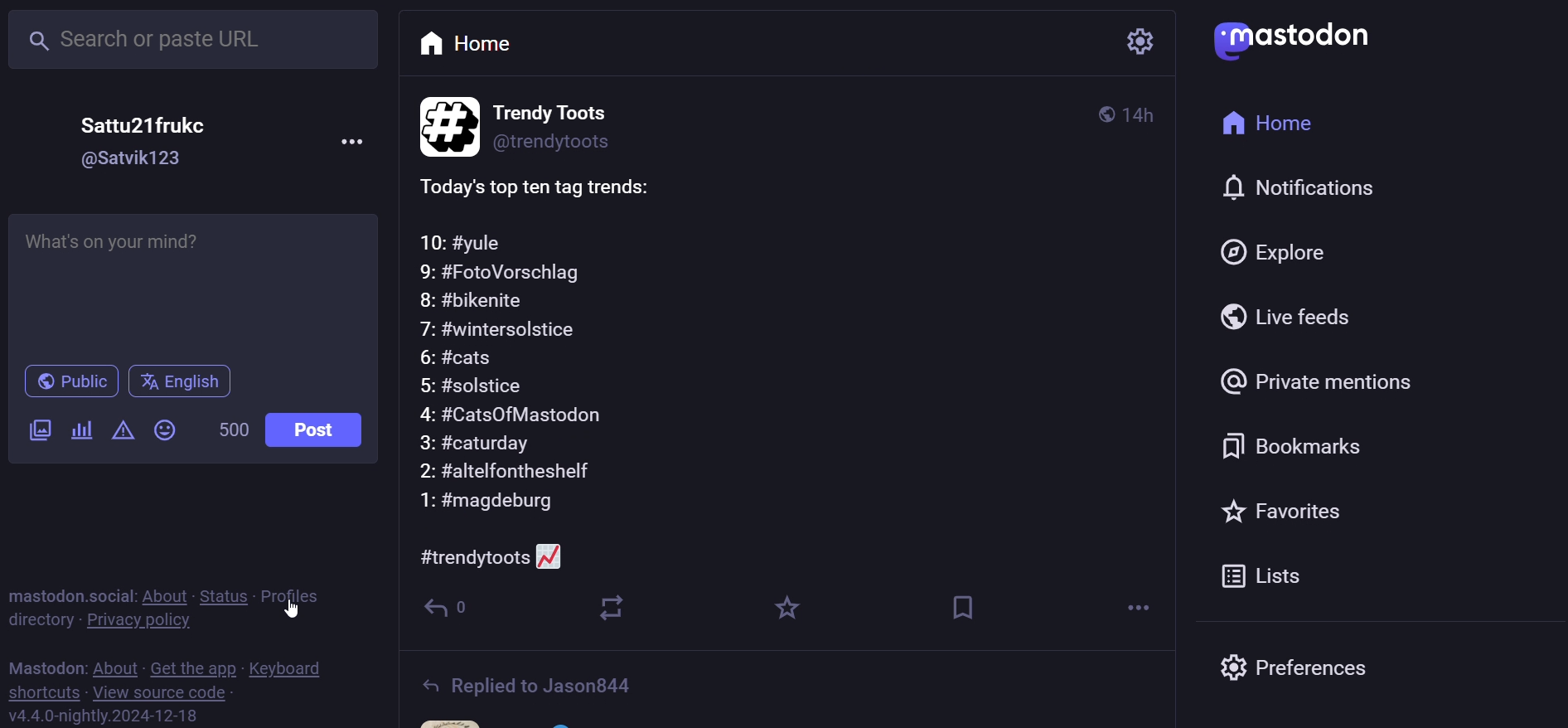  What do you see at coordinates (301, 595) in the screenshot?
I see `profiles` at bounding box center [301, 595].